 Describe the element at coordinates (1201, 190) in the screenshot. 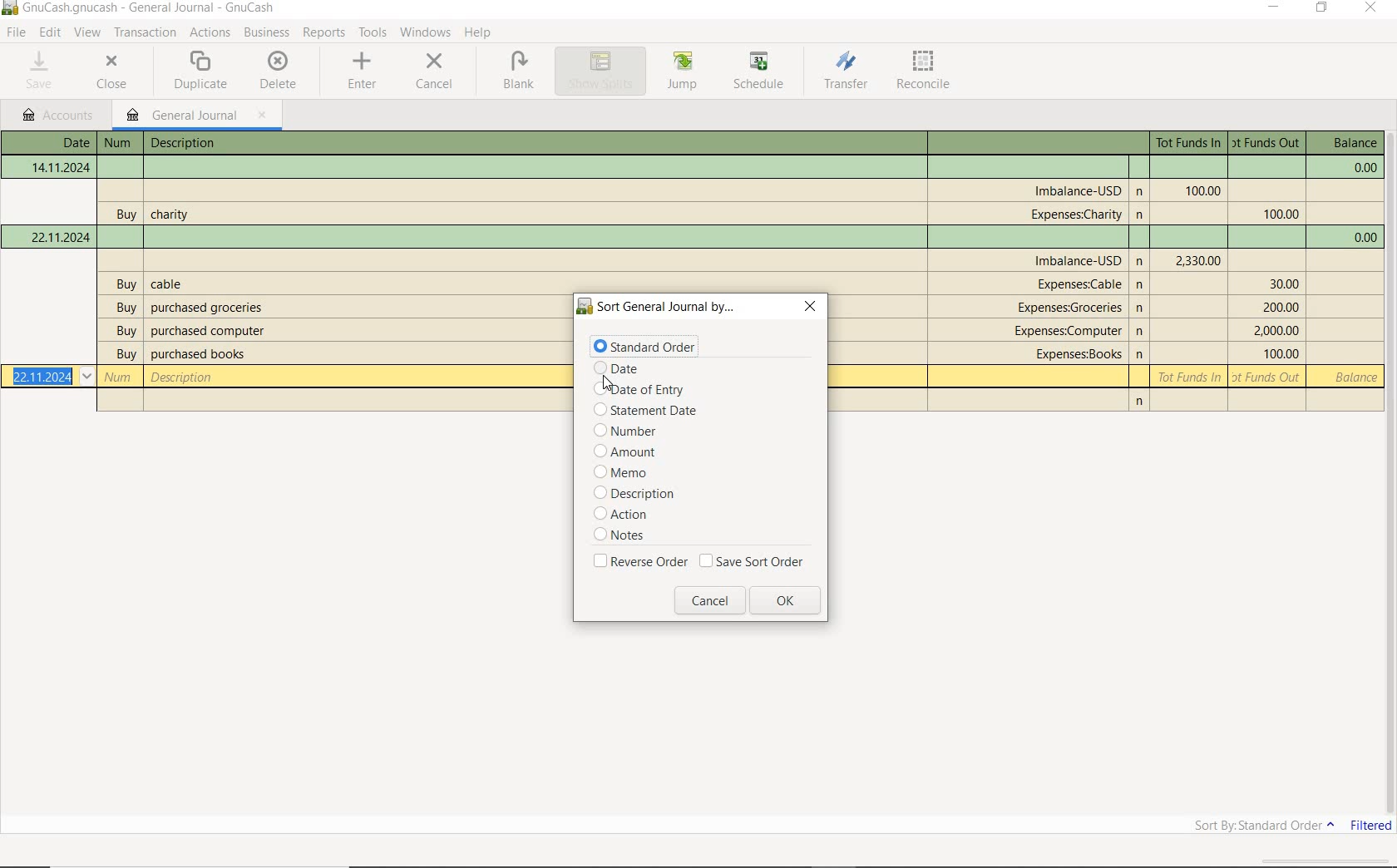

I see `Tot Funds In` at that location.